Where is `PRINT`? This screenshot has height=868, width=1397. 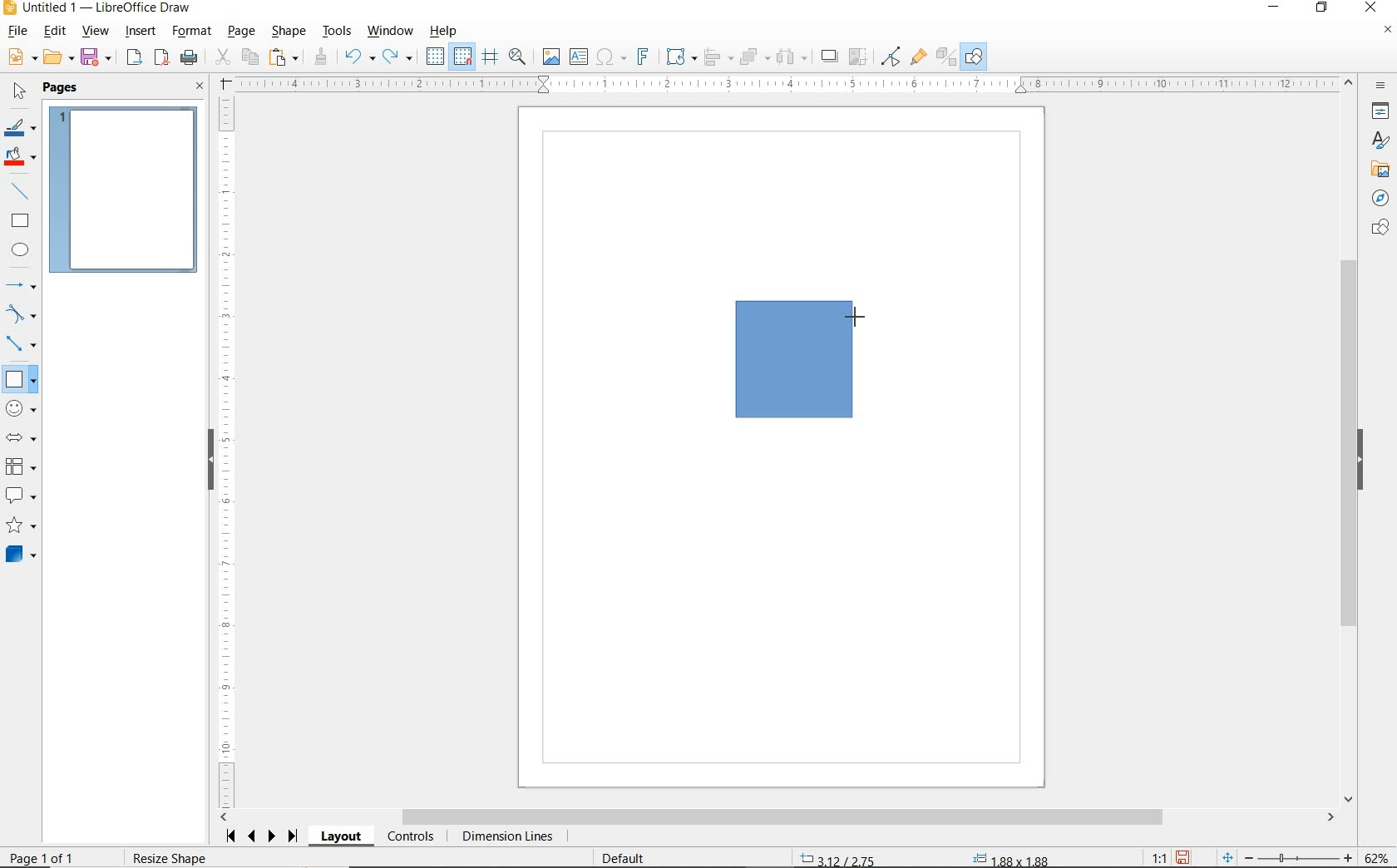
PRINT is located at coordinates (190, 60).